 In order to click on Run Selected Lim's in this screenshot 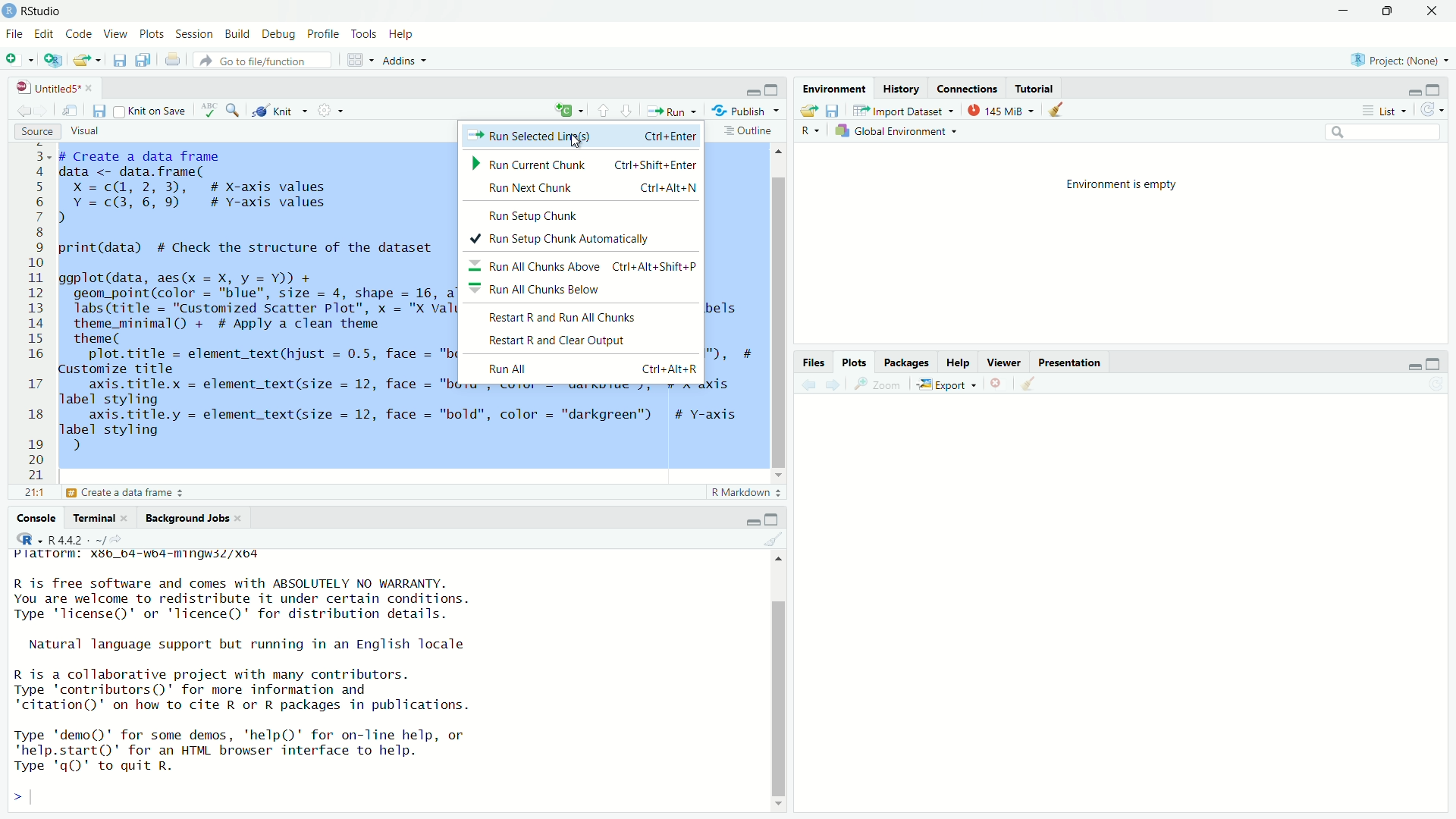, I will do `click(582, 136)`.